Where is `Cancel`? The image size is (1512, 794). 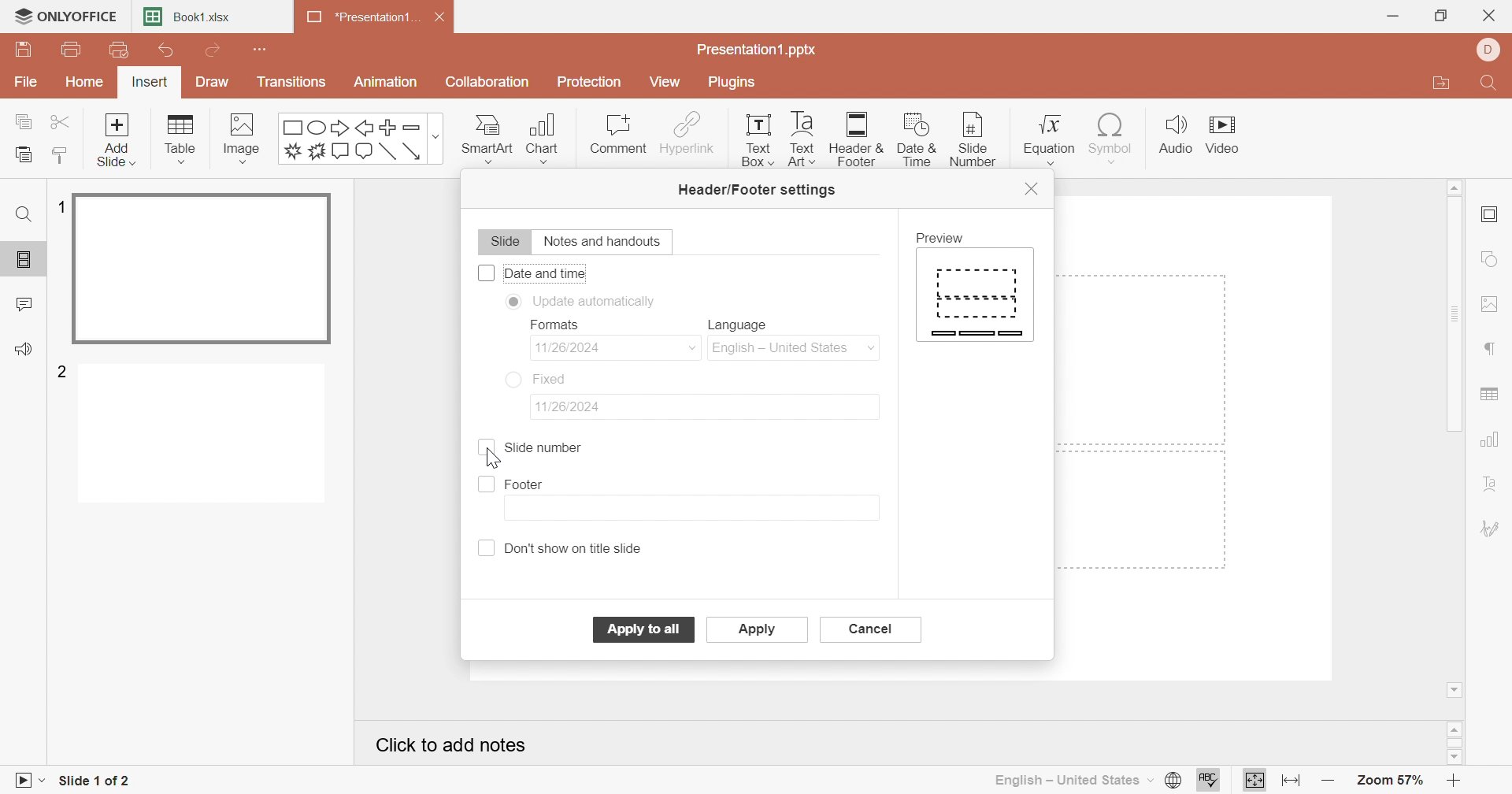 Cancel is located at coordinates (872, 629).